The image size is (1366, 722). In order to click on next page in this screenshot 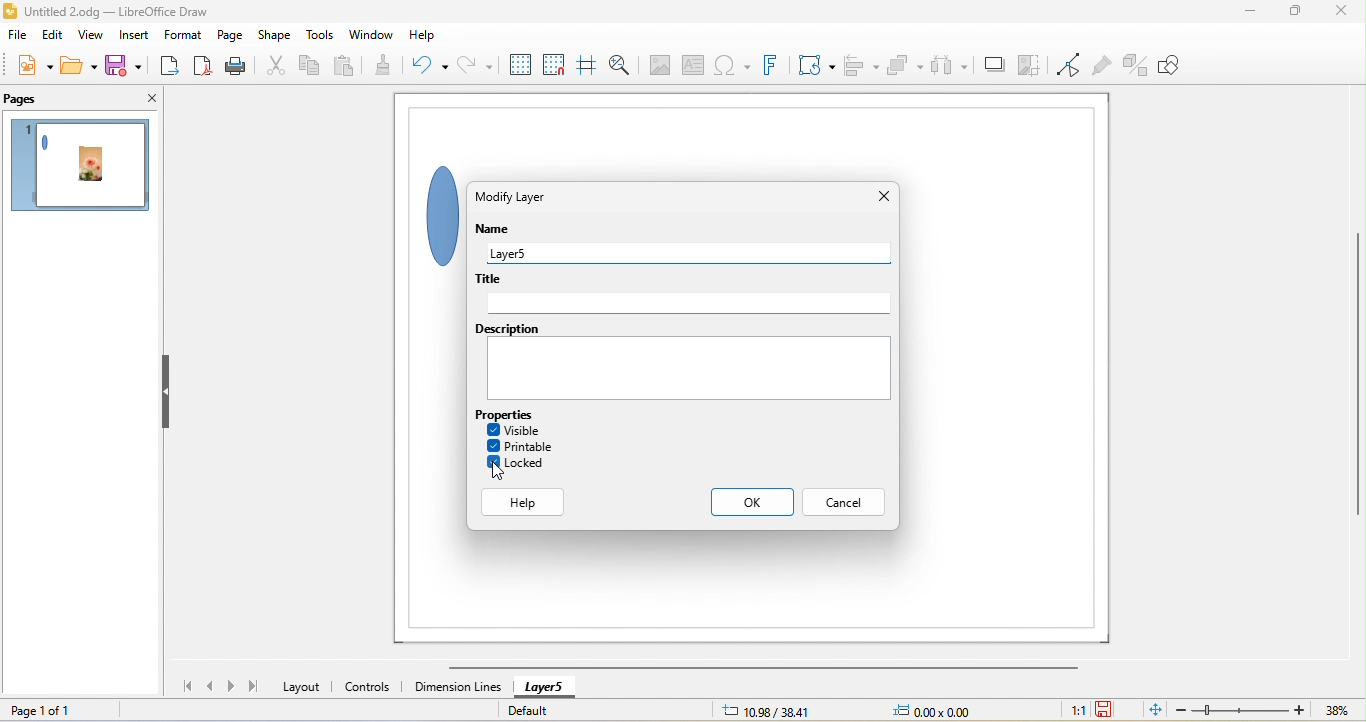, I will do `click(234, 686)`.